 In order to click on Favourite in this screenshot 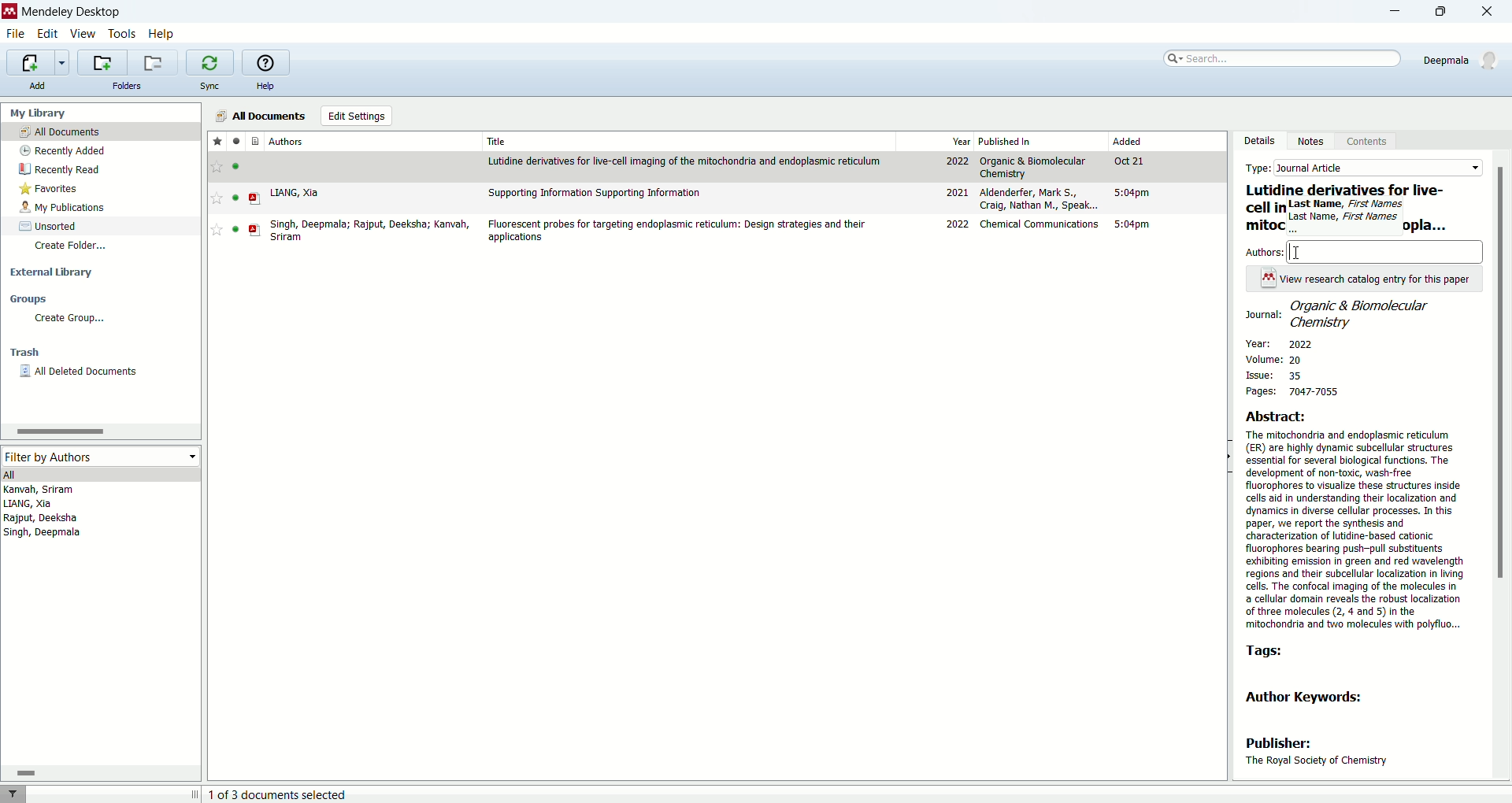, I will do `click(217, 198)`.